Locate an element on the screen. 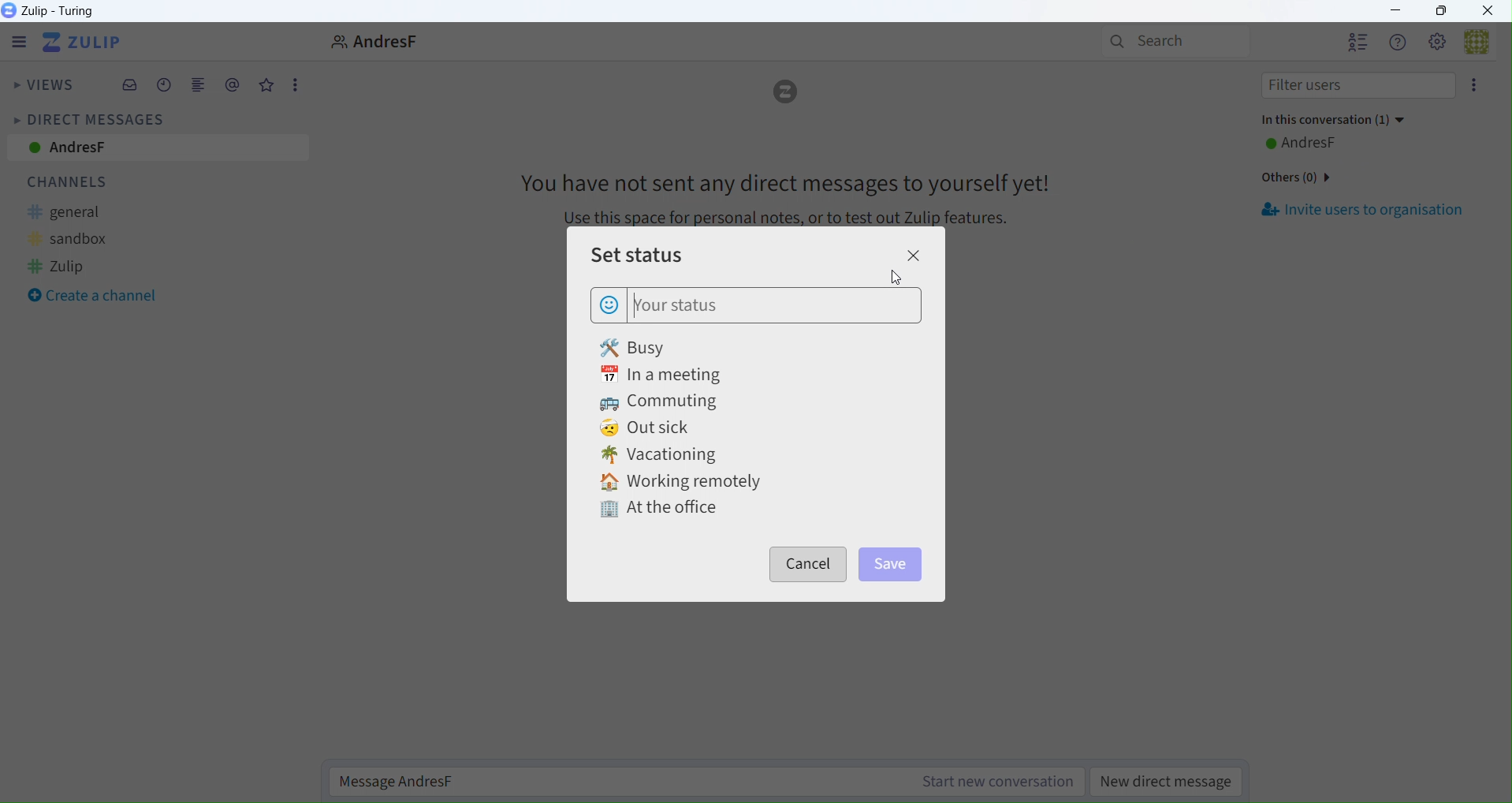 This screenshot has height=803, width=1512. Close is located at coordinates (918, 256).